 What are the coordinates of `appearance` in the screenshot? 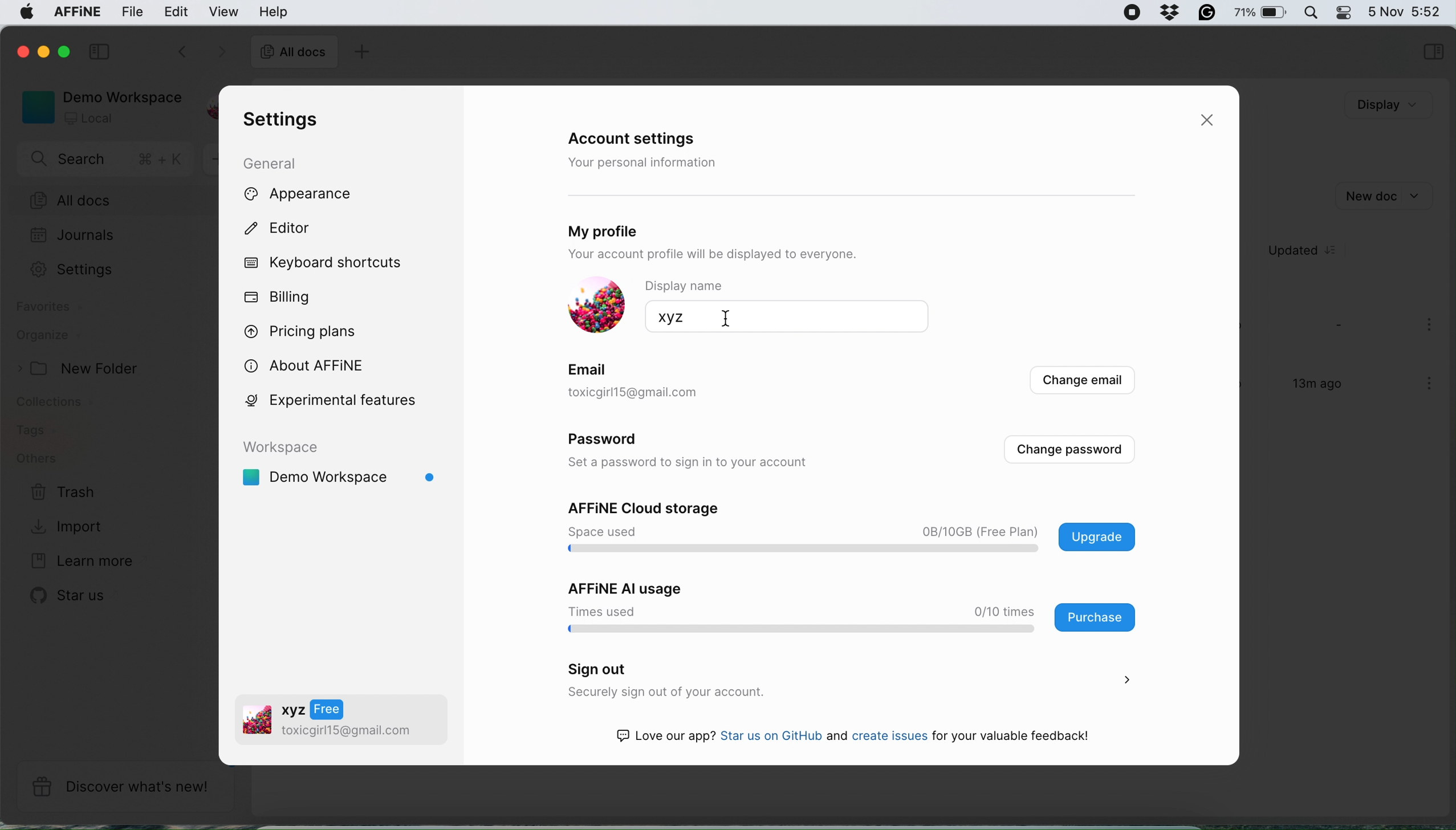 It's located at (317, 195).